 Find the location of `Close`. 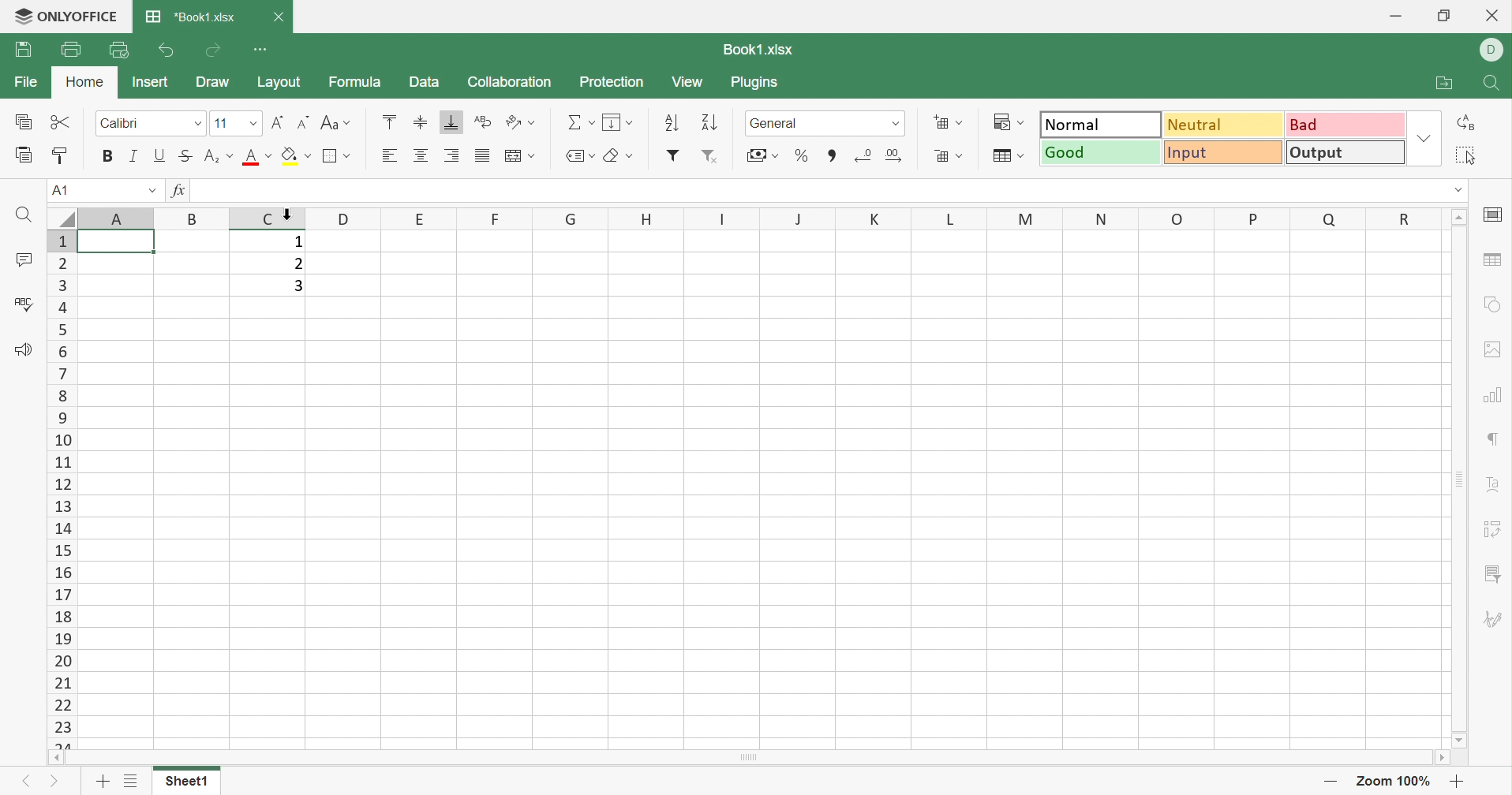

Close is located at coordinates (281, 18).